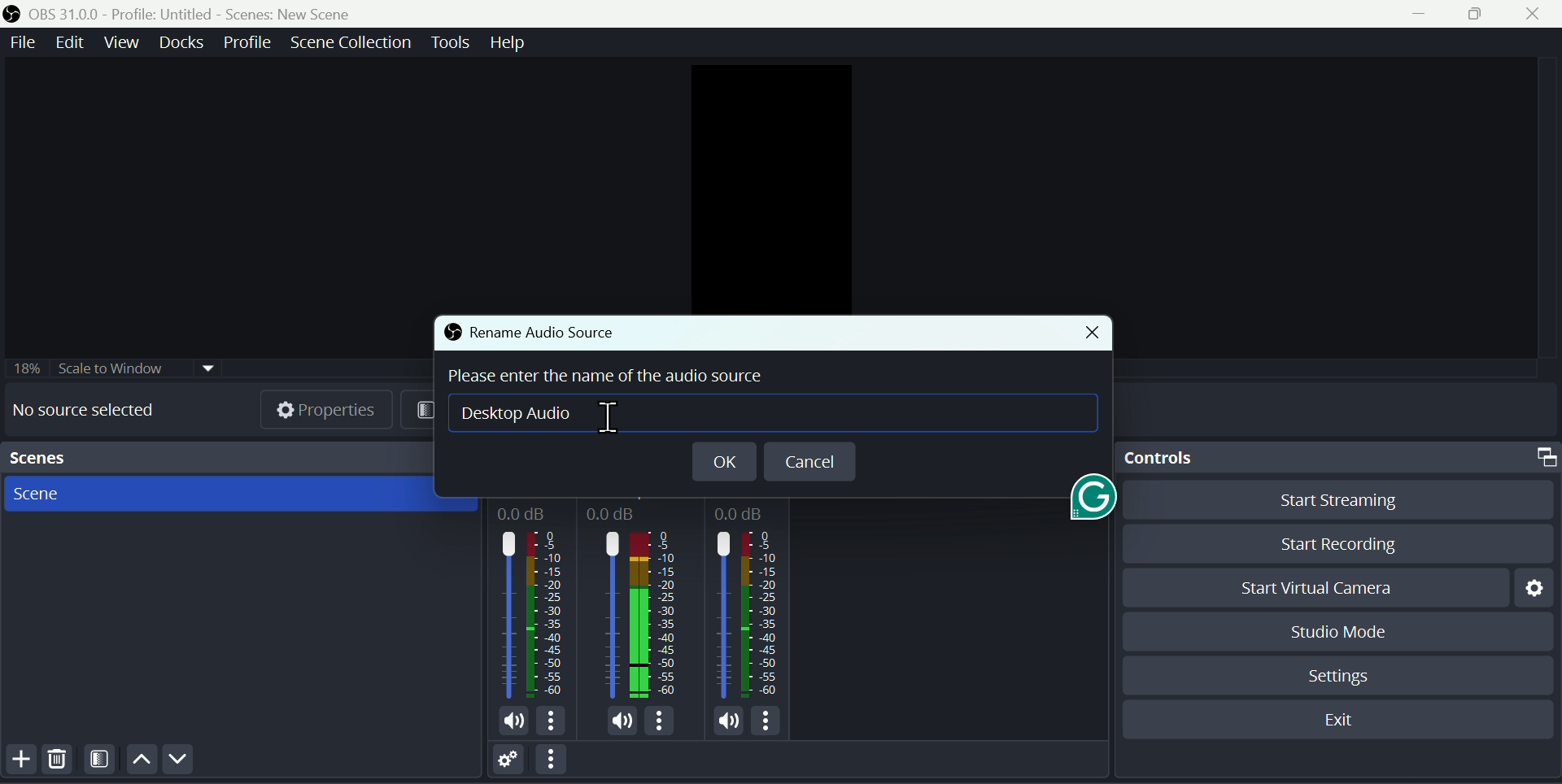 This screenshot has width=1562, height=784. What do you see at coordinates (351, 44) in the screenshot?
I see `Scene collection` at bounding box center [351, 44].